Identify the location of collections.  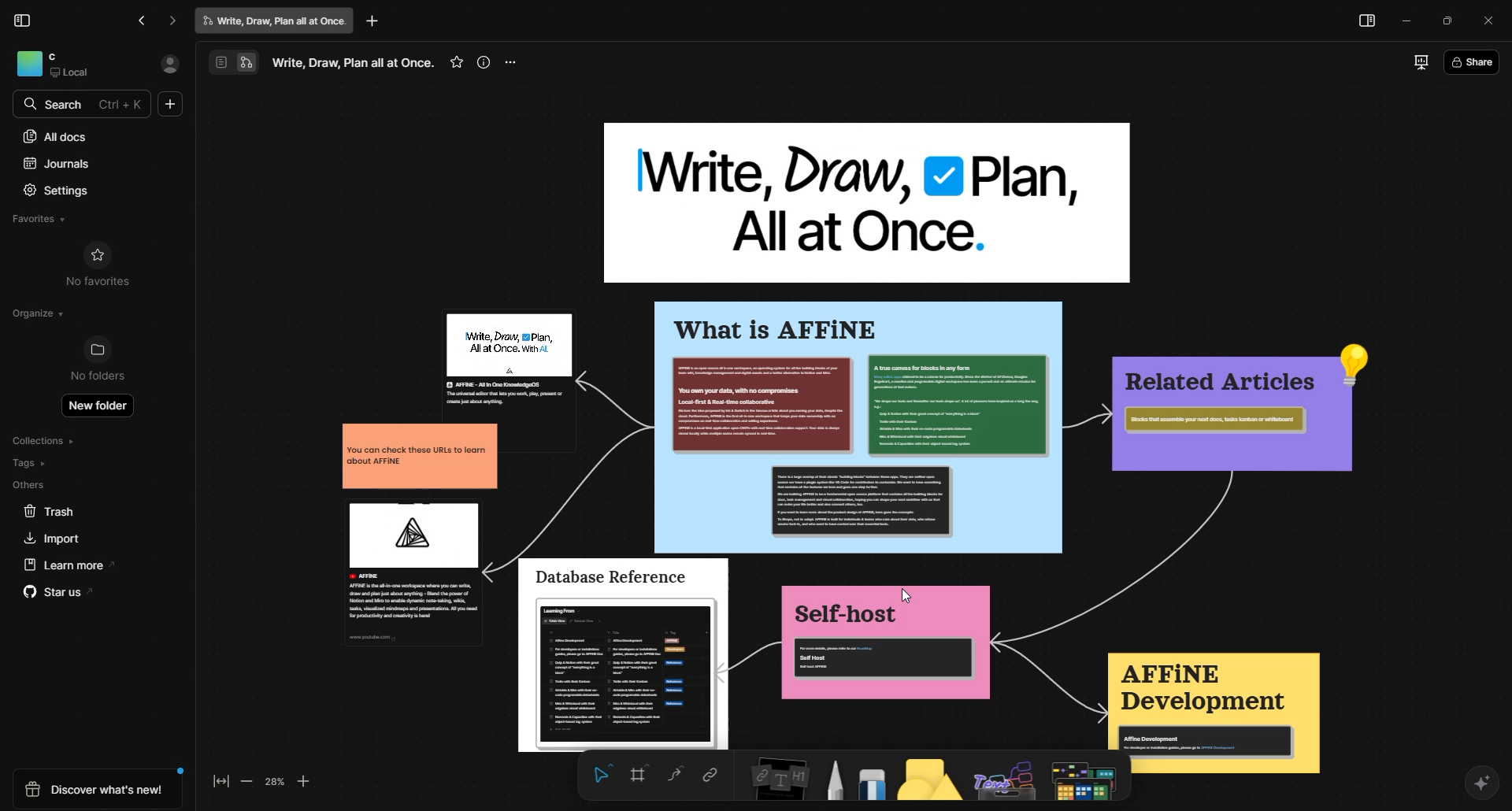
(48, 441).